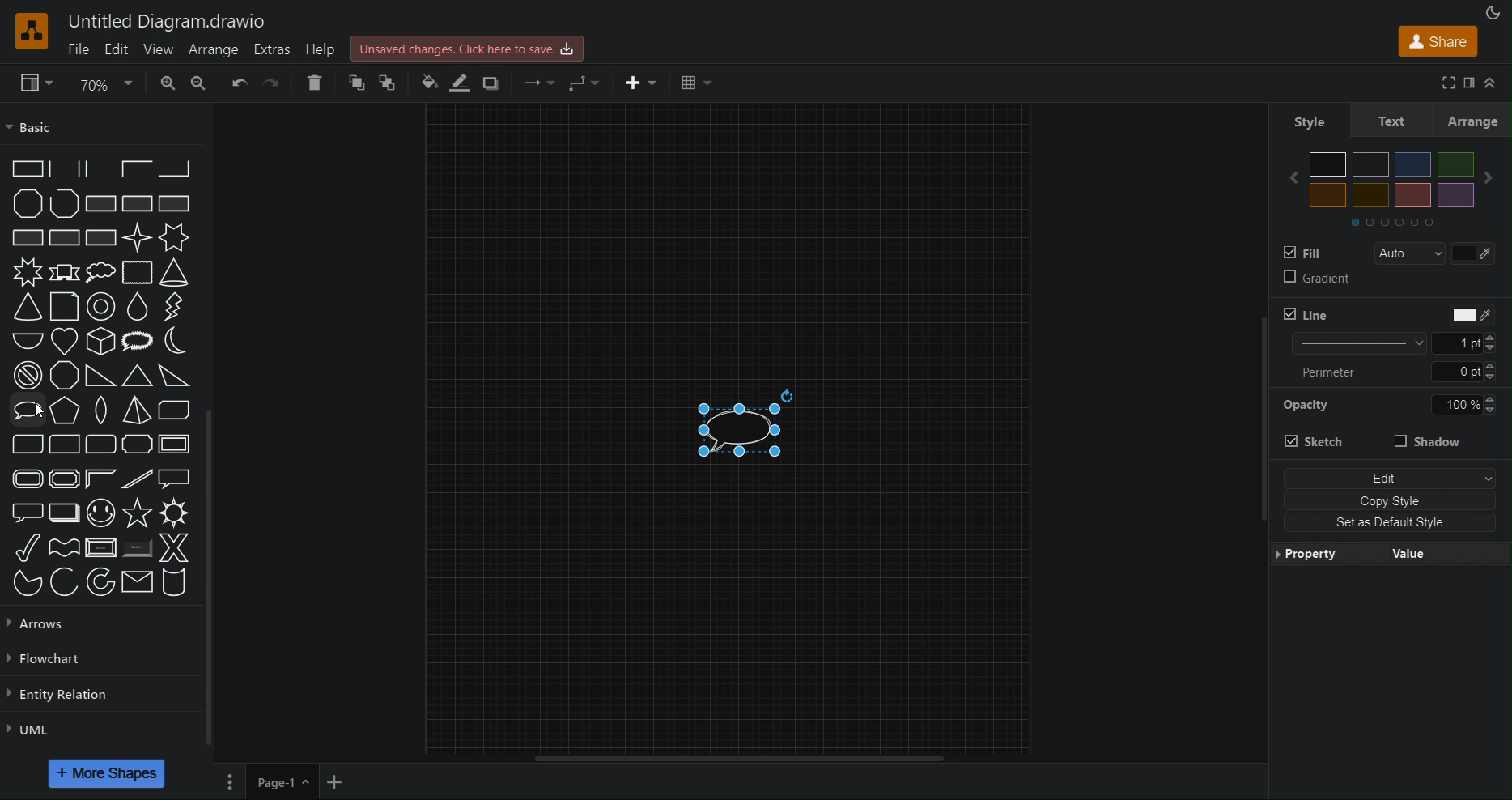  I want to click on Plaque Frame, so click(65, 479).